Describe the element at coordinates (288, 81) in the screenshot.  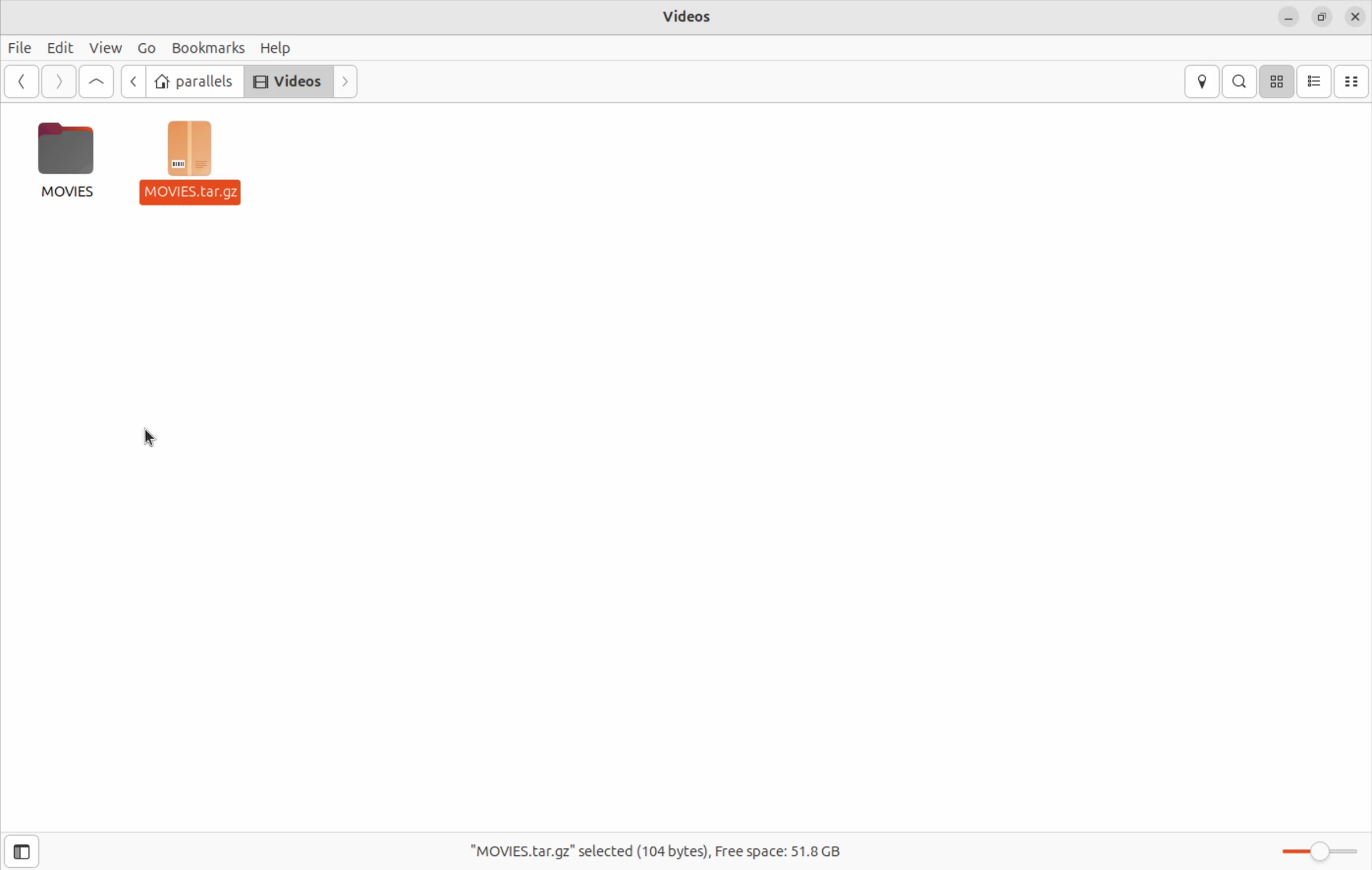
I see `videos` at that location.